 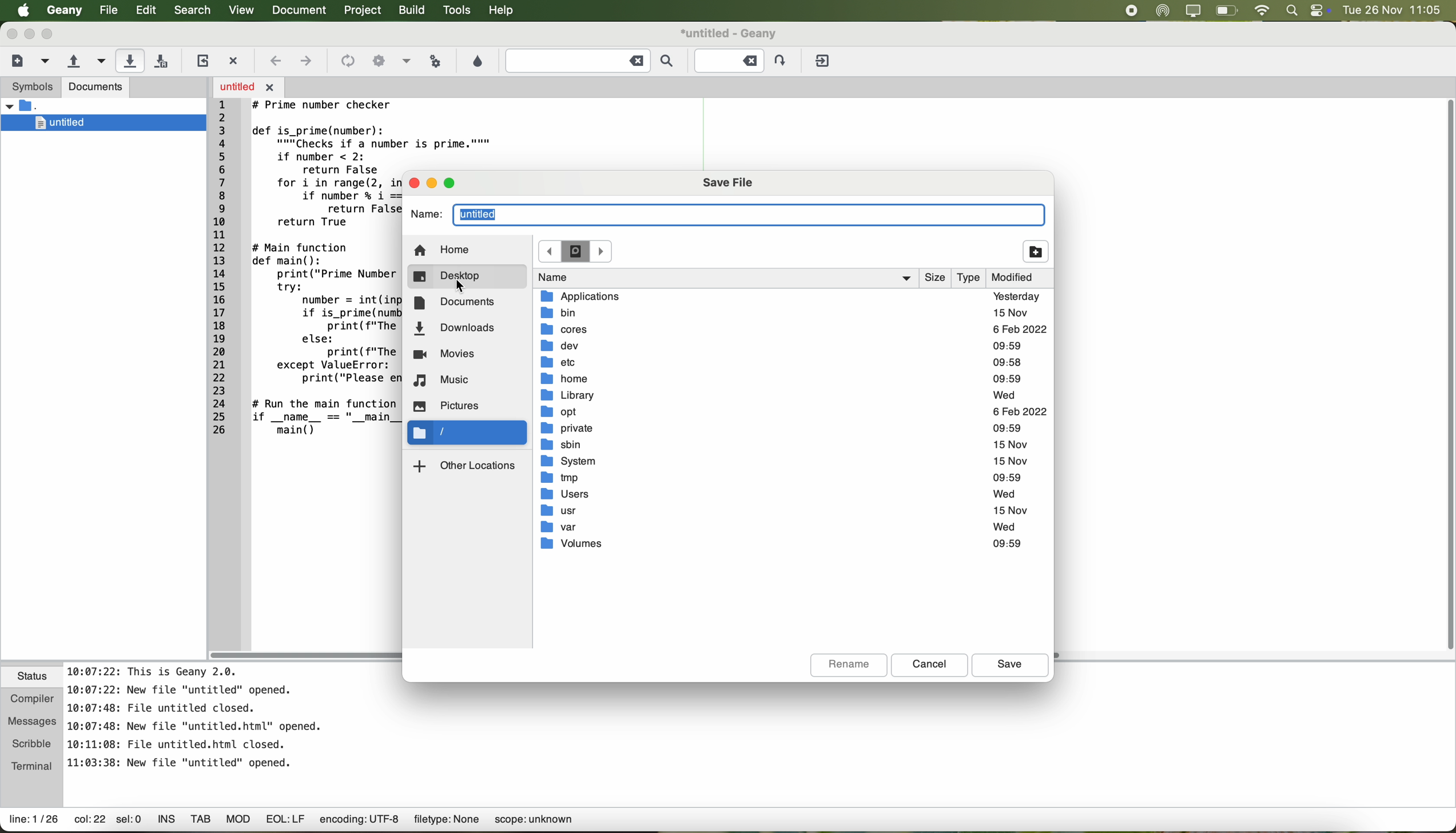 I want to click on usr, so click(x=786, y=509).